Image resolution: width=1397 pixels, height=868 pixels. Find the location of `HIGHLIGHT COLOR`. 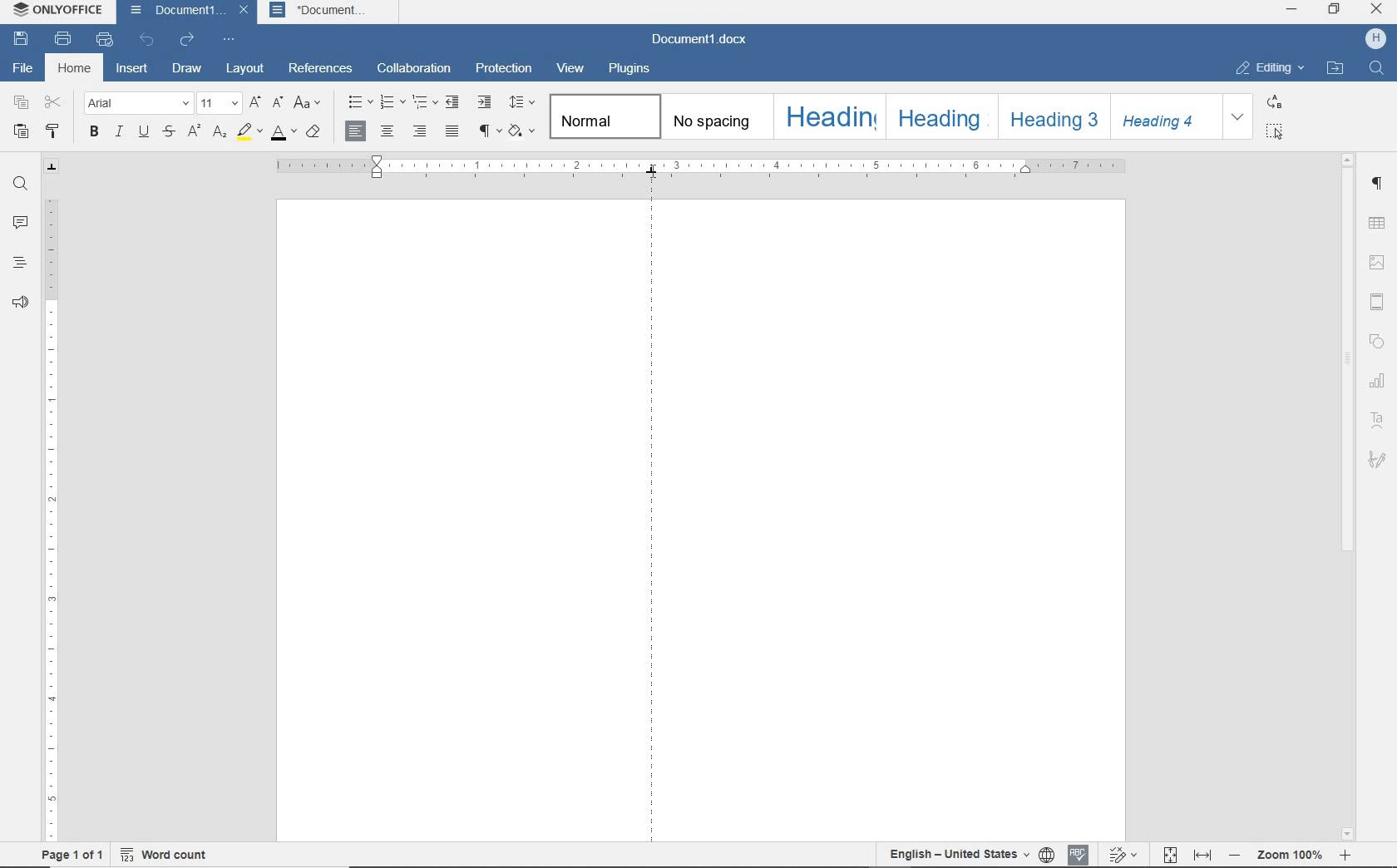

HIGHLIGHT COLOR is located at coordinates (249, 132).